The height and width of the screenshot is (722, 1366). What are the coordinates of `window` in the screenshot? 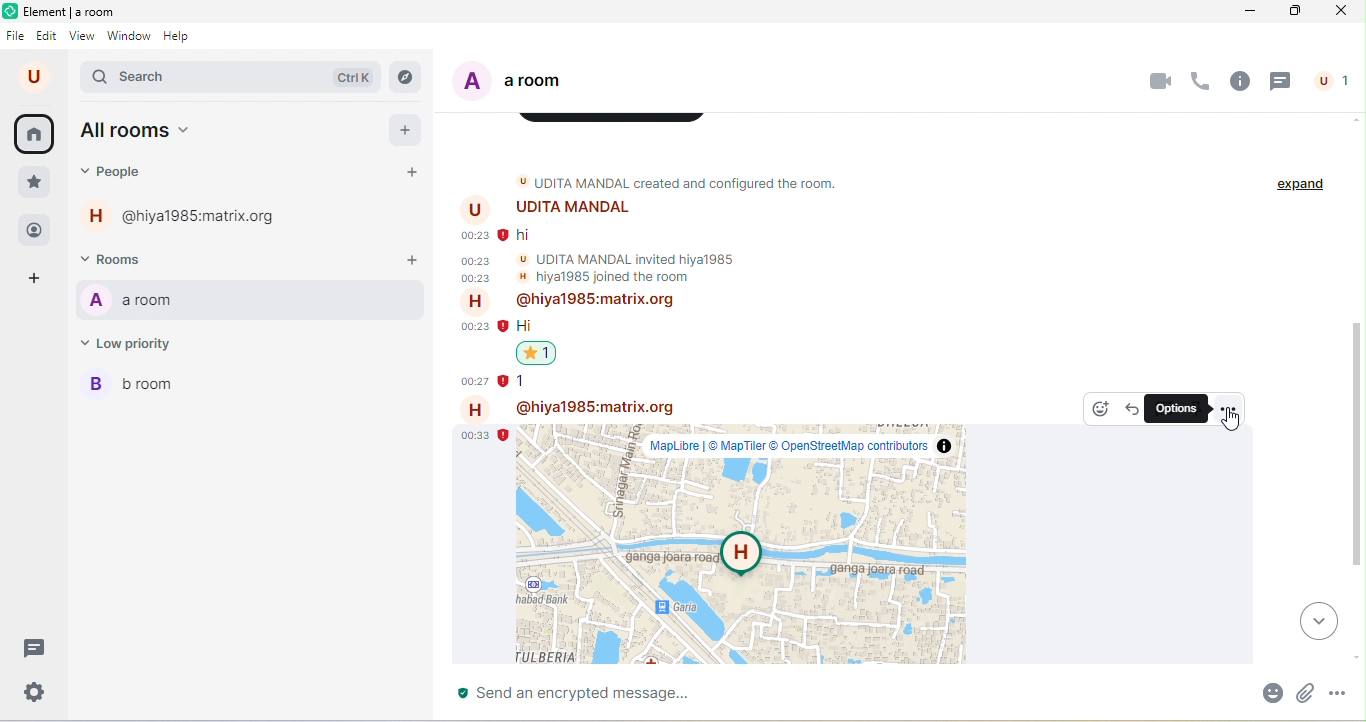 It's located at (129, 37).